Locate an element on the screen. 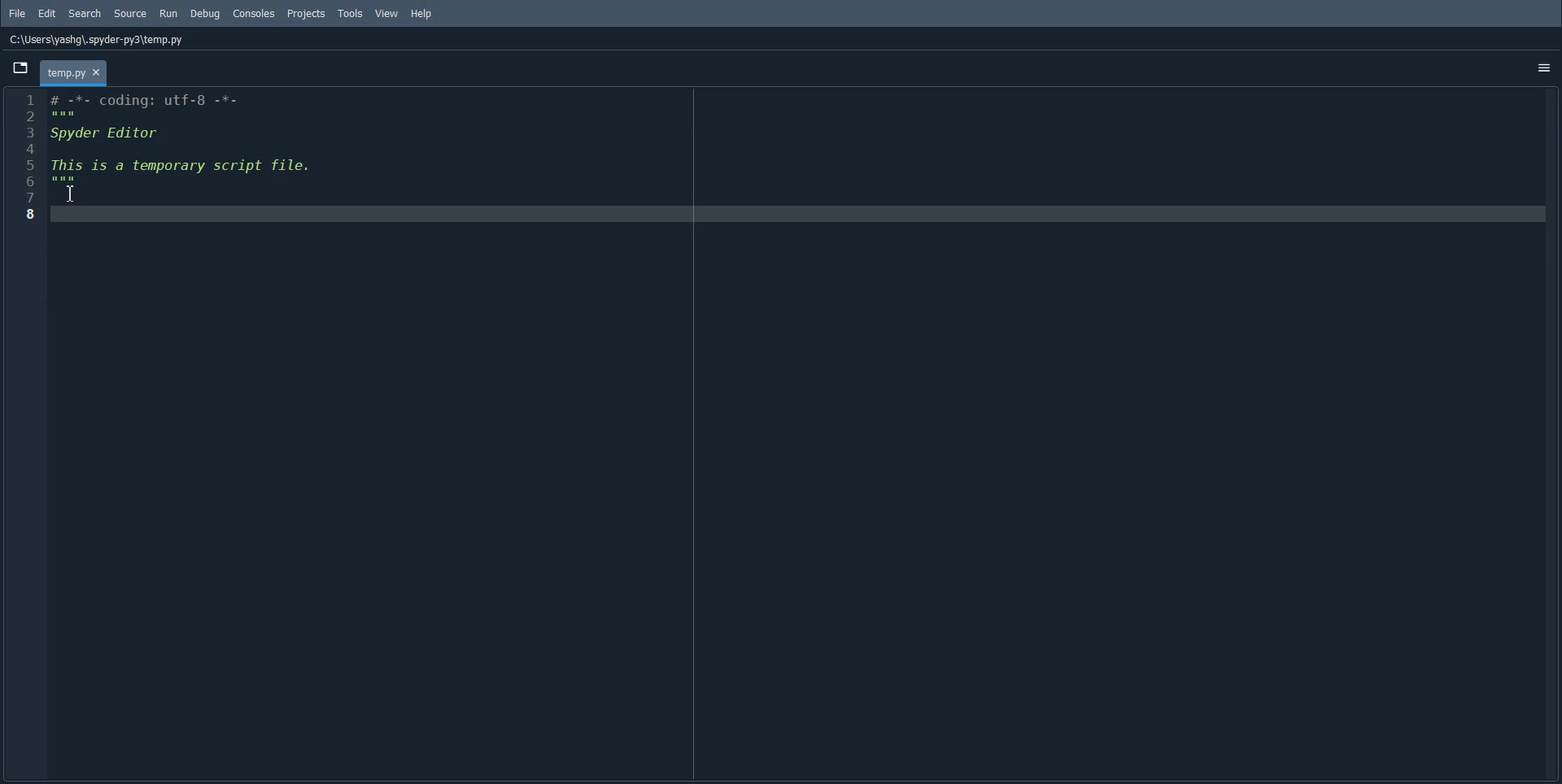  1 # -*- coding: utf-8 -*-
Bl
3 Spyder Editor
%
5 This is a temporary script file.
oT
7
8 is located at coordinates (177, 159).